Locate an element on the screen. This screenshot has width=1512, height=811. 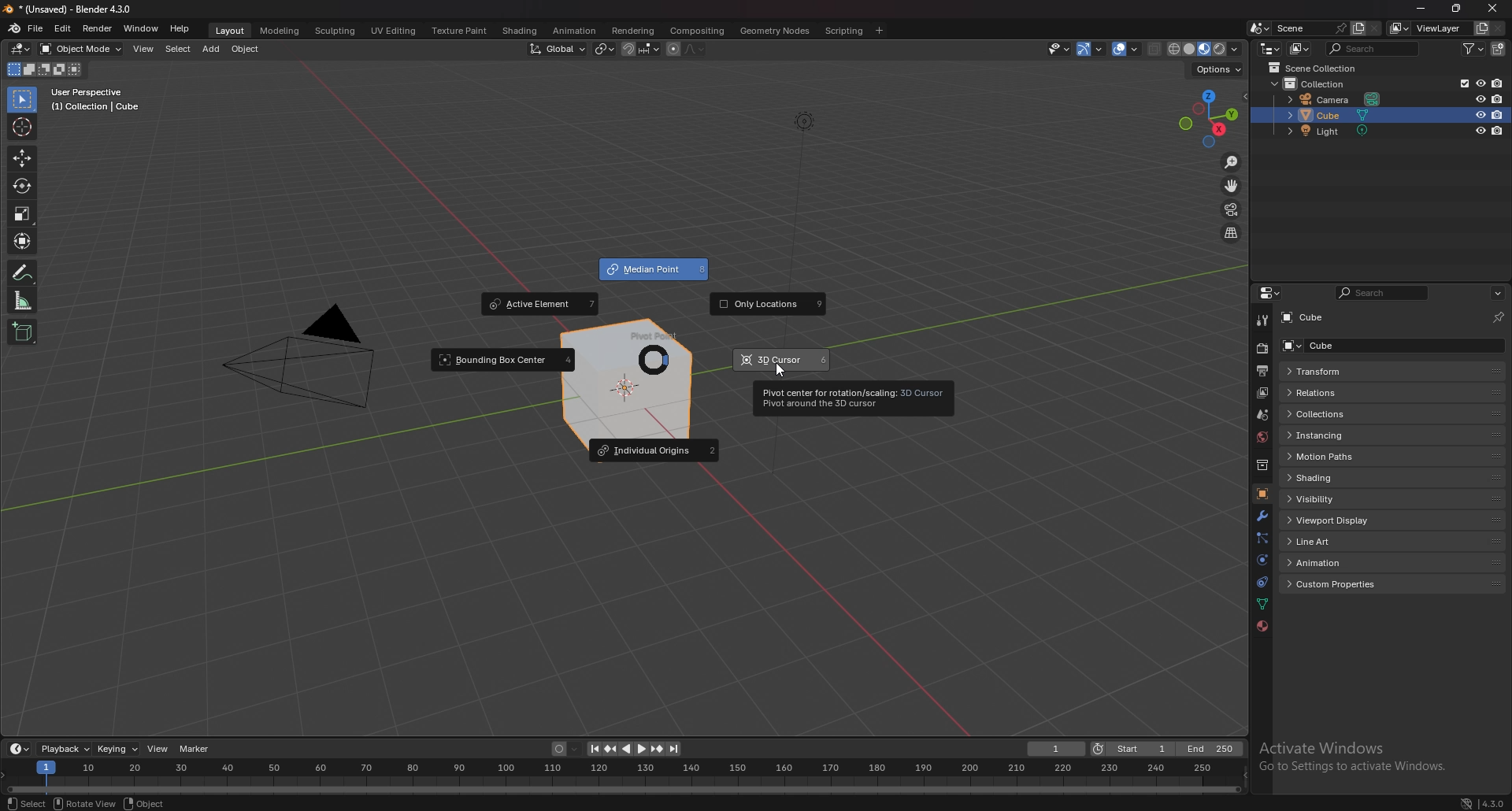
search is located at coordinates (1369, 49).